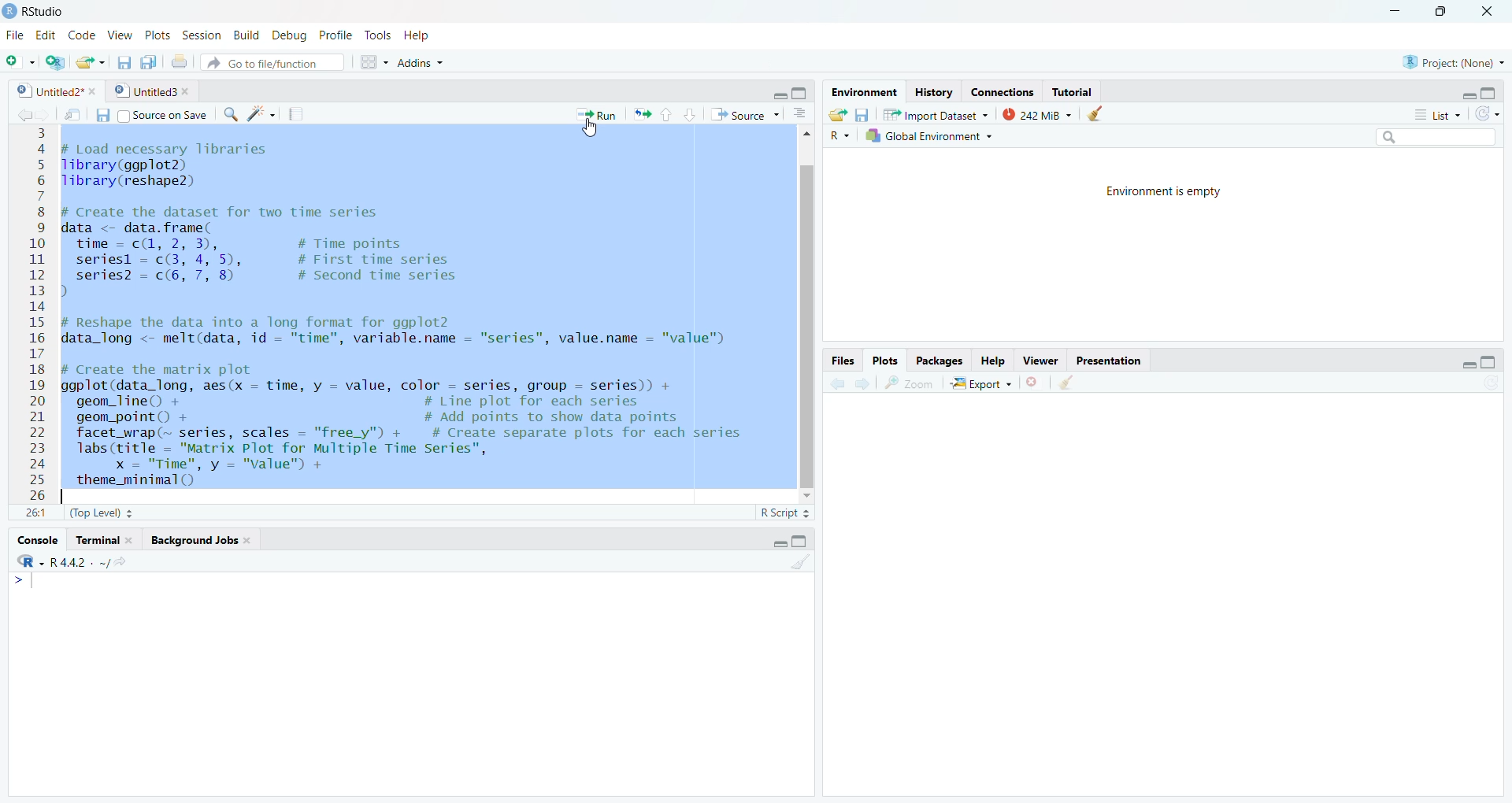 The image size is (1512, 803). I want to click on scroll bar, so click(808, 325).